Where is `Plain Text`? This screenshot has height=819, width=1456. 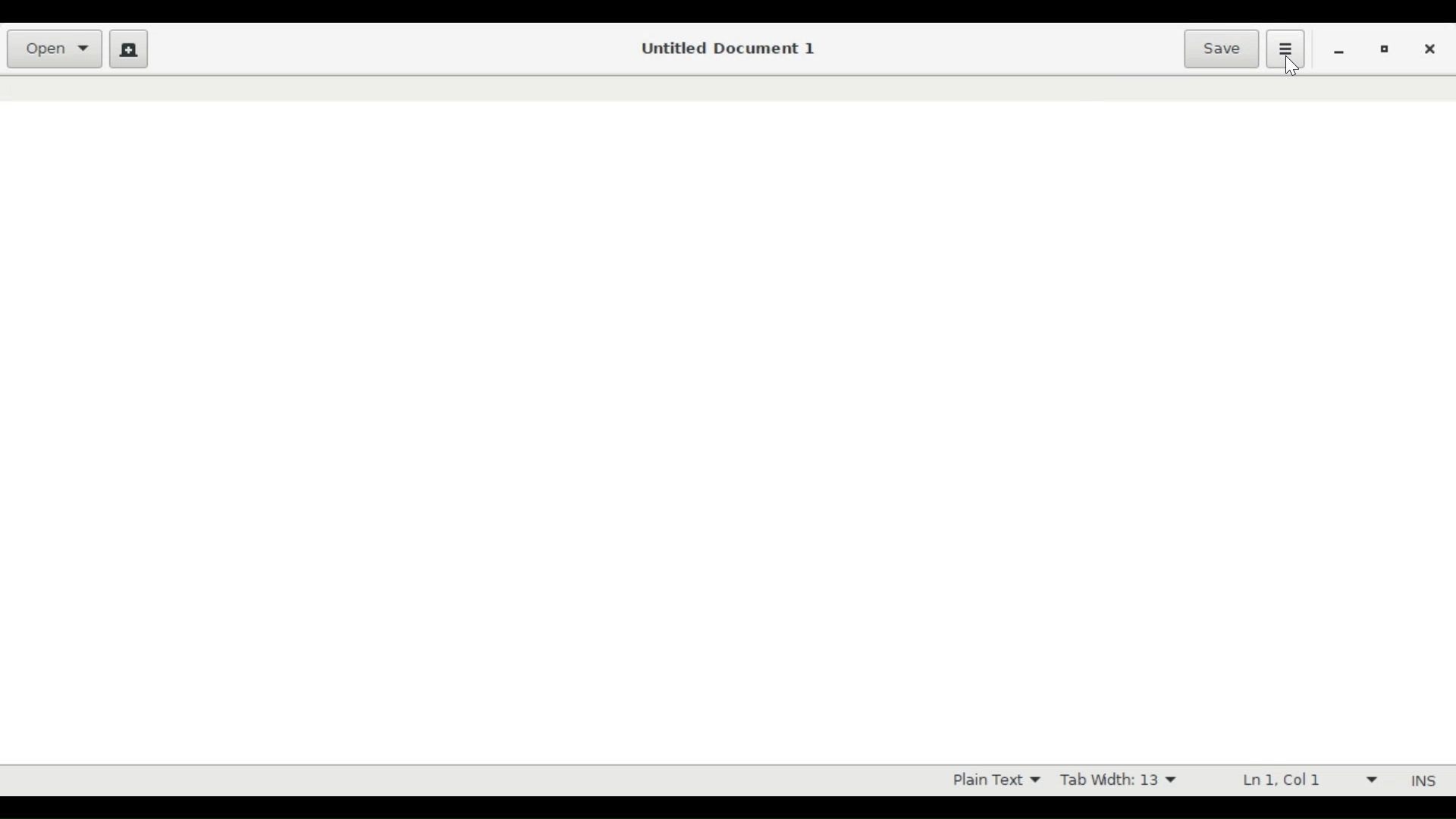 Plain Text is located at coordinates (990, 779).